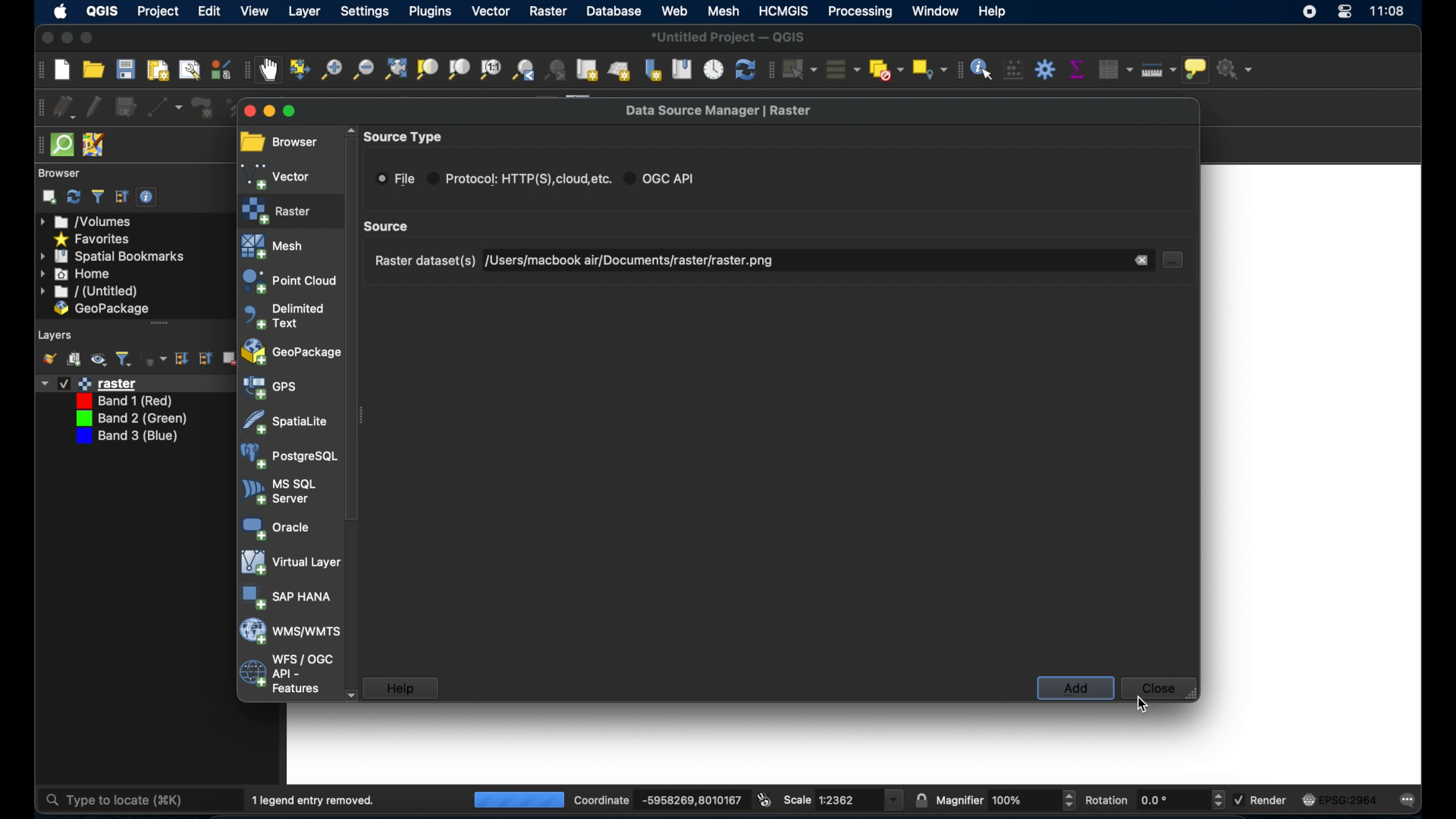 The width and height of the screenshot is (1456, 819). What do you see at coordinates (588, 70) in the screenshot?
I see `new map view` at bounding box center [588, 70].